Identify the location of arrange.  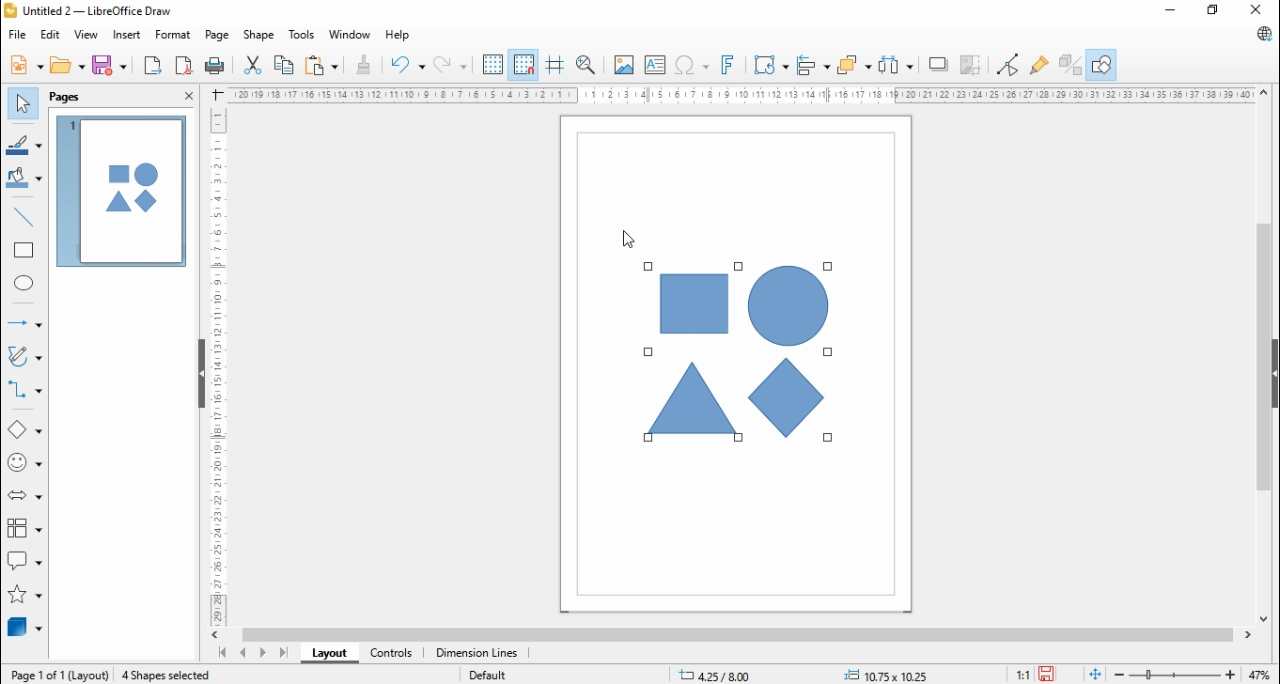
(854, 64).